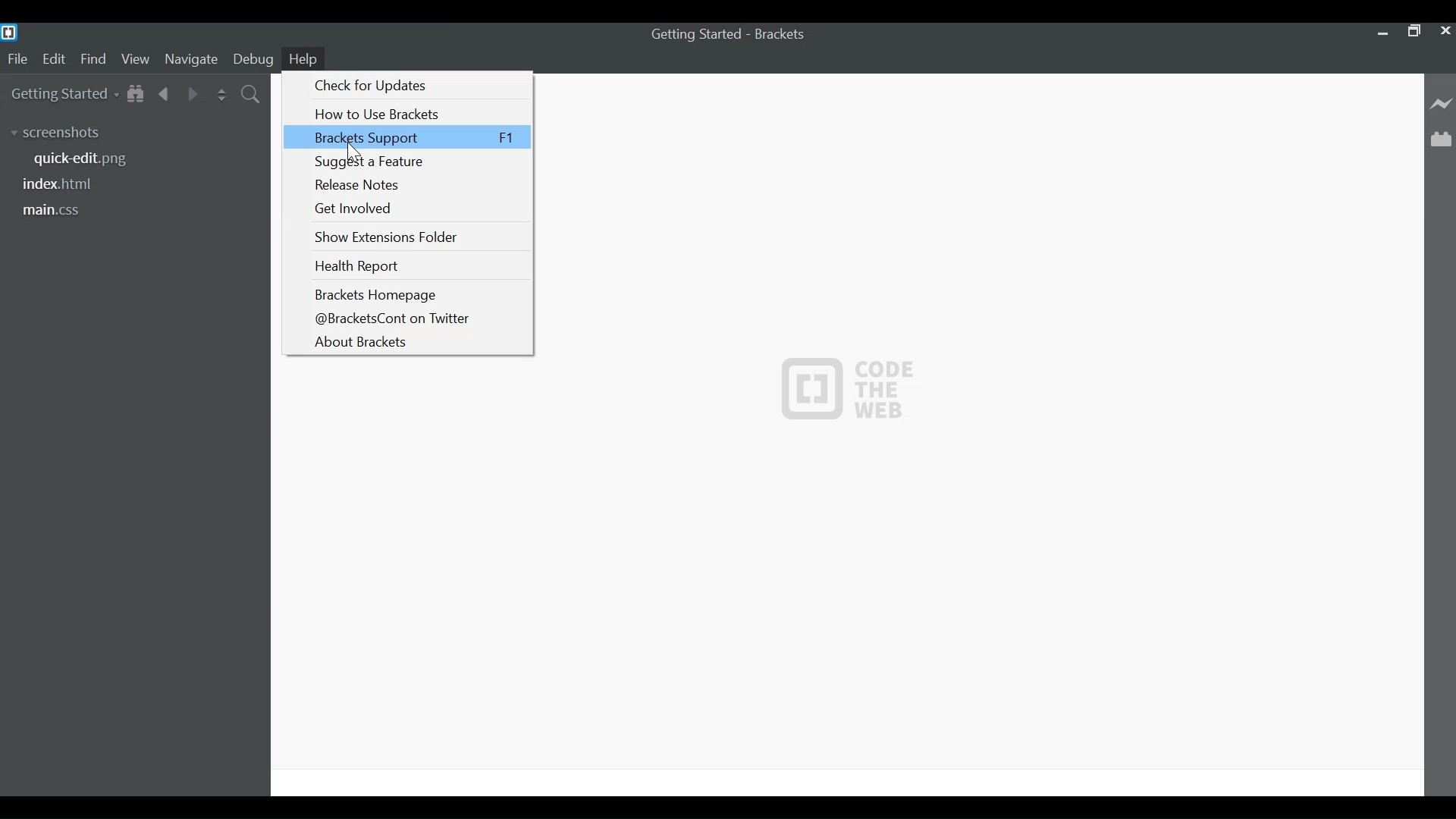 This screenshot has width=1456, height=819. I want to click on Find in Files, so click(252, 93).